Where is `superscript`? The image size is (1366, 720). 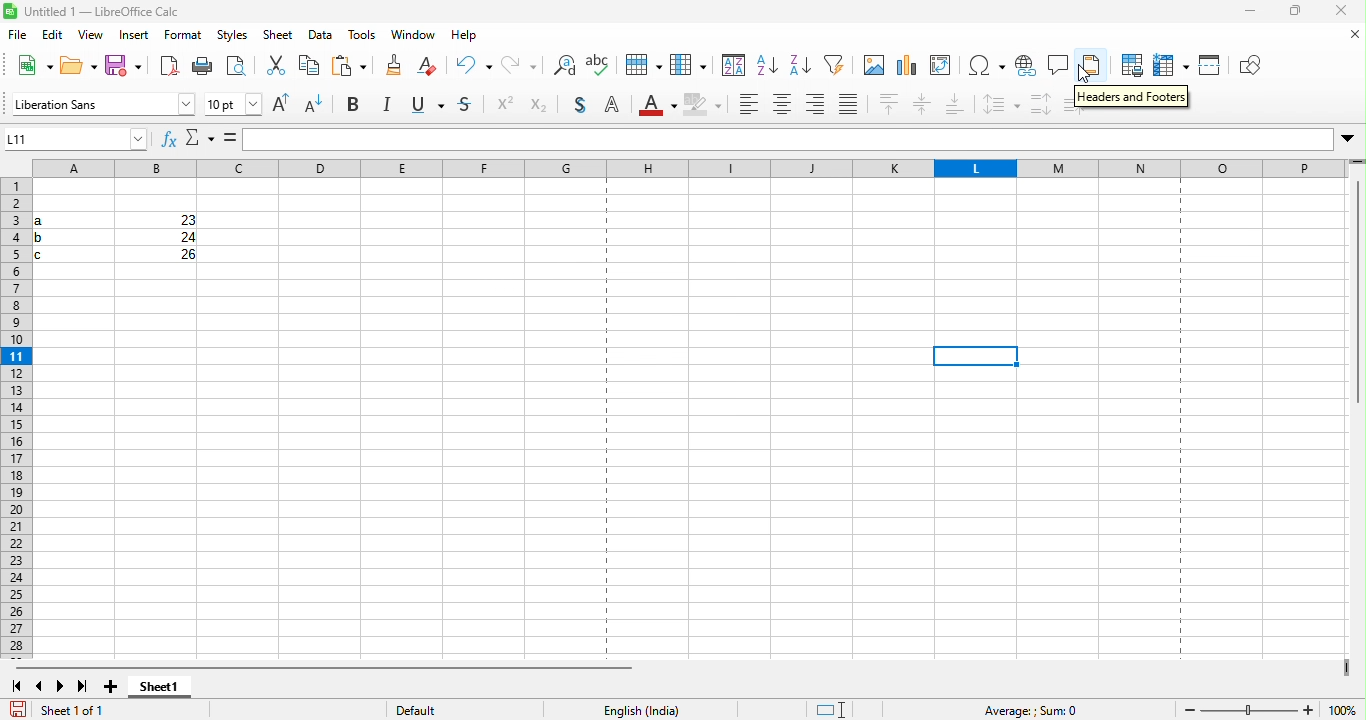
superscript is located at coordinates (506, 105).